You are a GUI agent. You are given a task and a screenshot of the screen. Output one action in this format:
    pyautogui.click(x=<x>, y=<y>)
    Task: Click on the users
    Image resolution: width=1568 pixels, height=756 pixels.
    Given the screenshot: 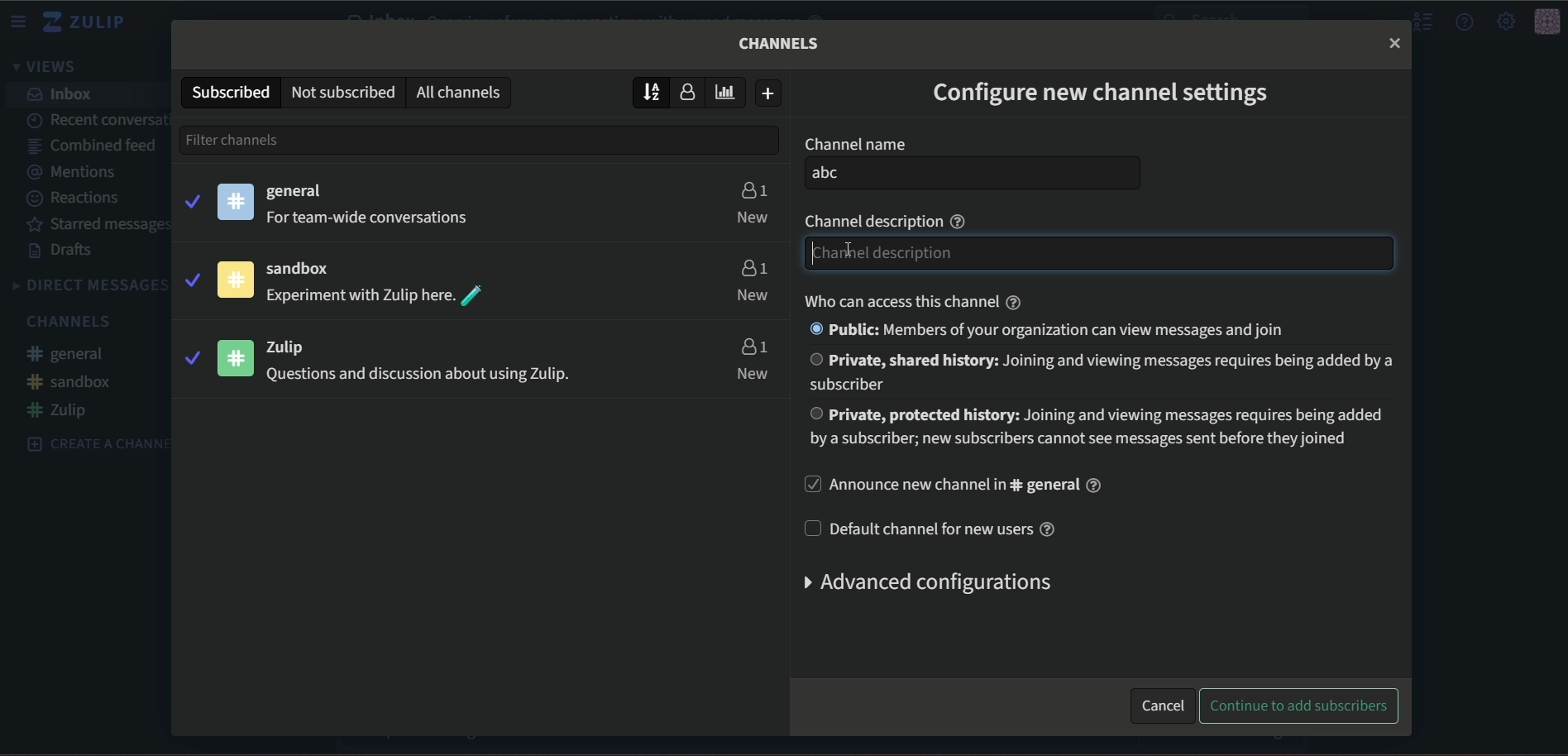 What is the action you would take?
    pyautogui.click(x=753, y=188)
    